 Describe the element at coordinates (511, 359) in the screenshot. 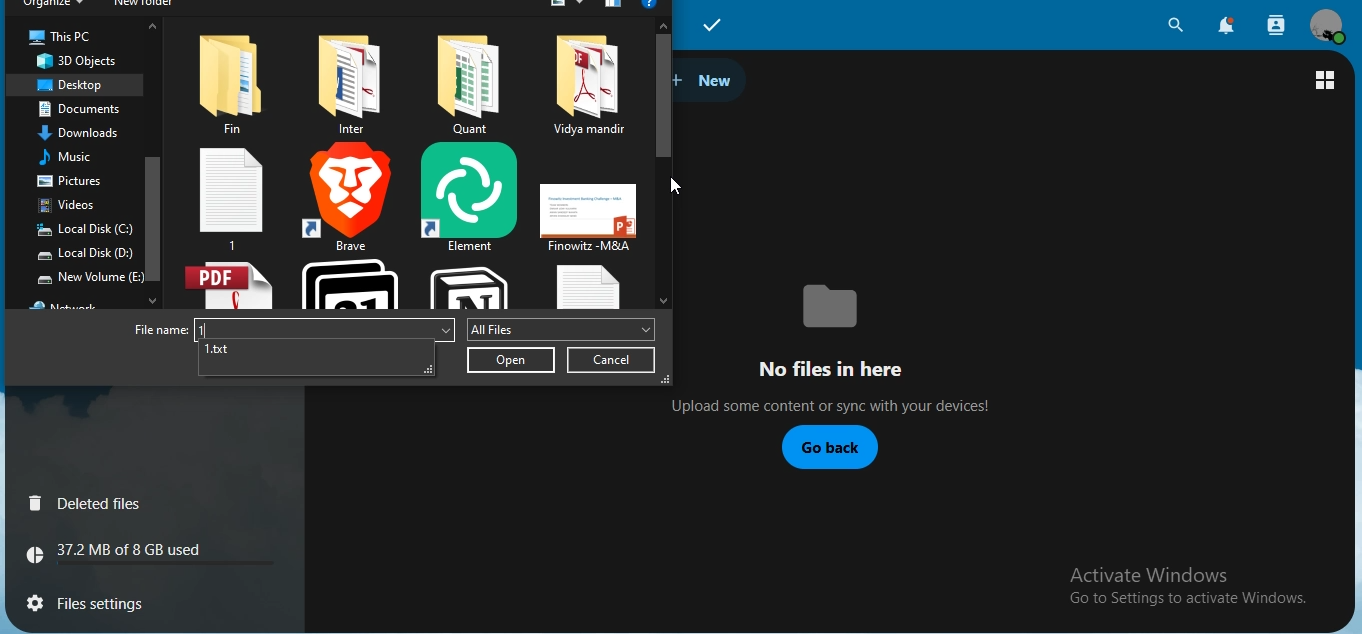

I see `open` at that location.